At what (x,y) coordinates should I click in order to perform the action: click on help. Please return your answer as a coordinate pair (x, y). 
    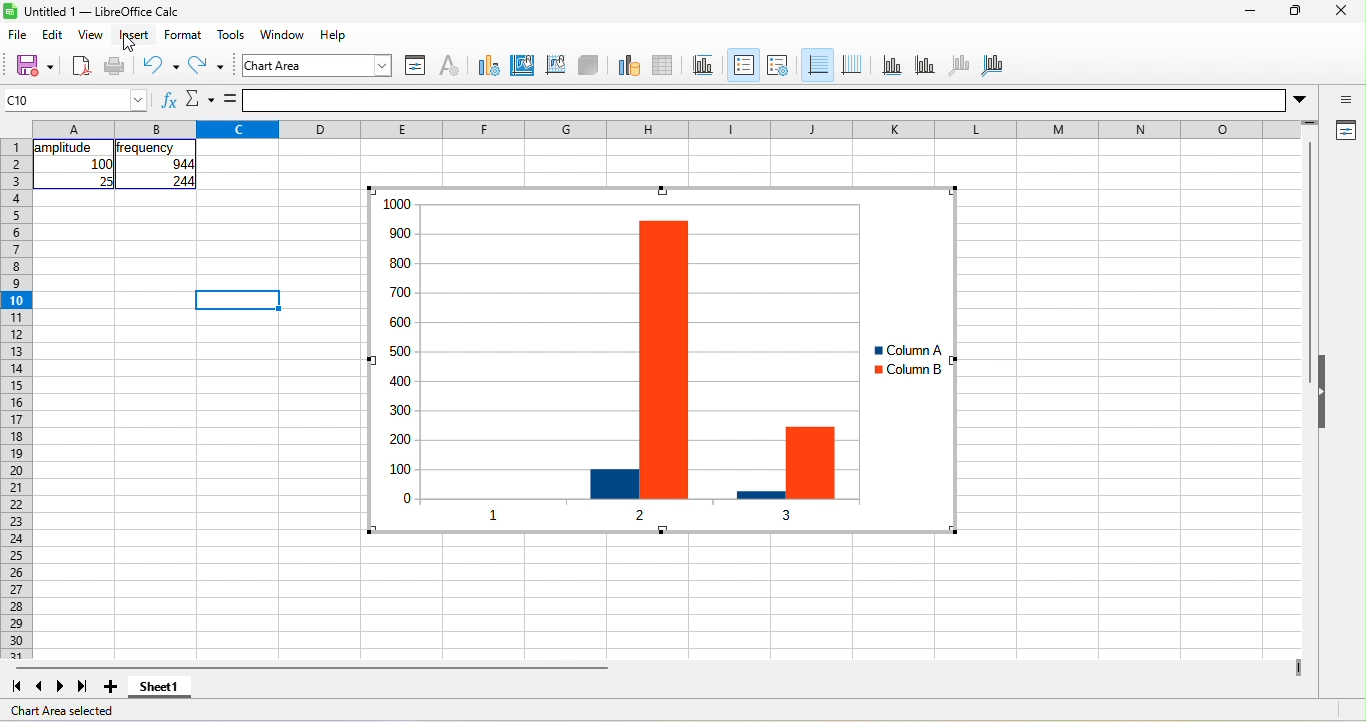
    Looking at the image, I should click on (335, 34).